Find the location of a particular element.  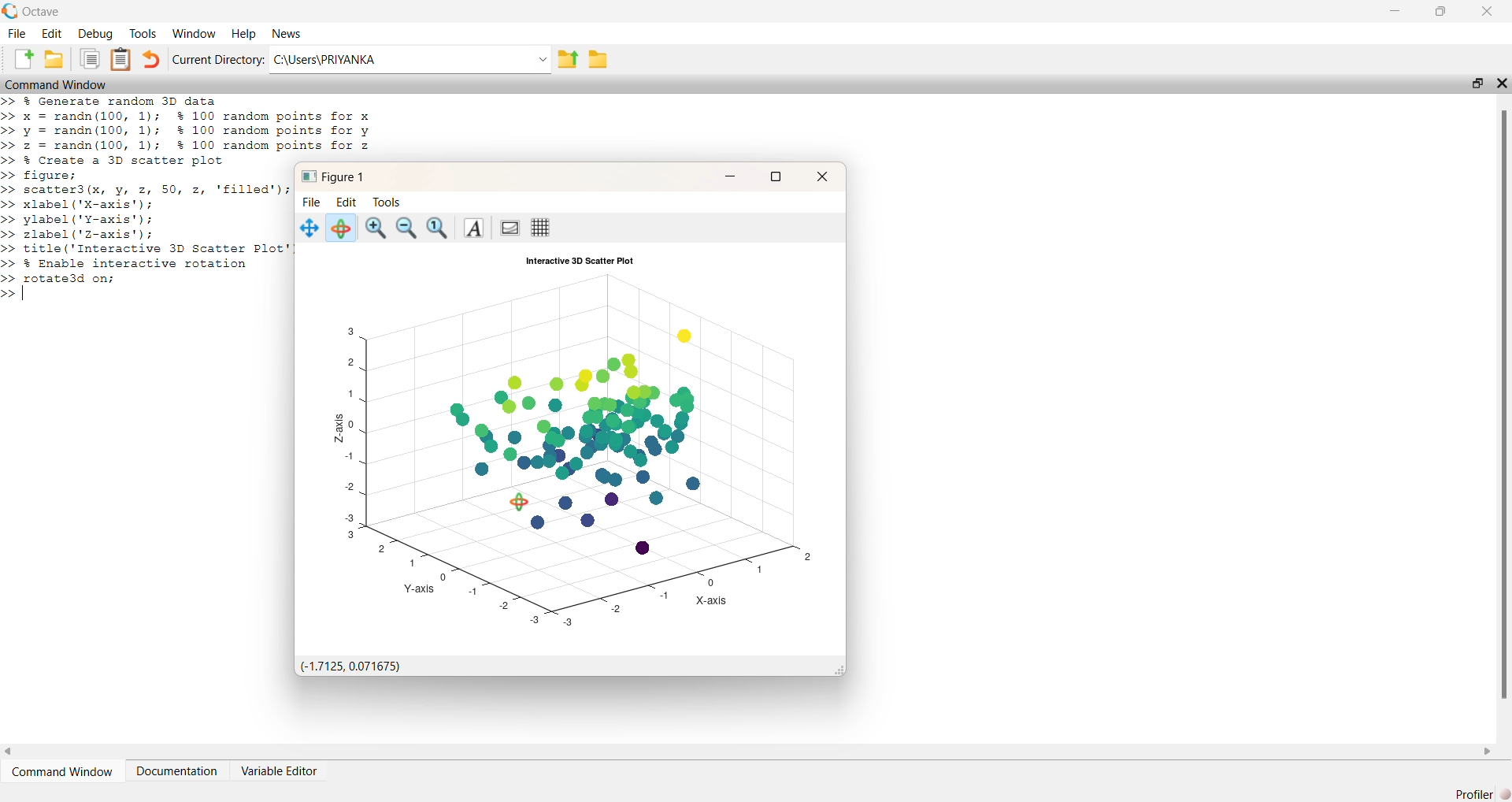

close is located at coordinates (1502, 83).